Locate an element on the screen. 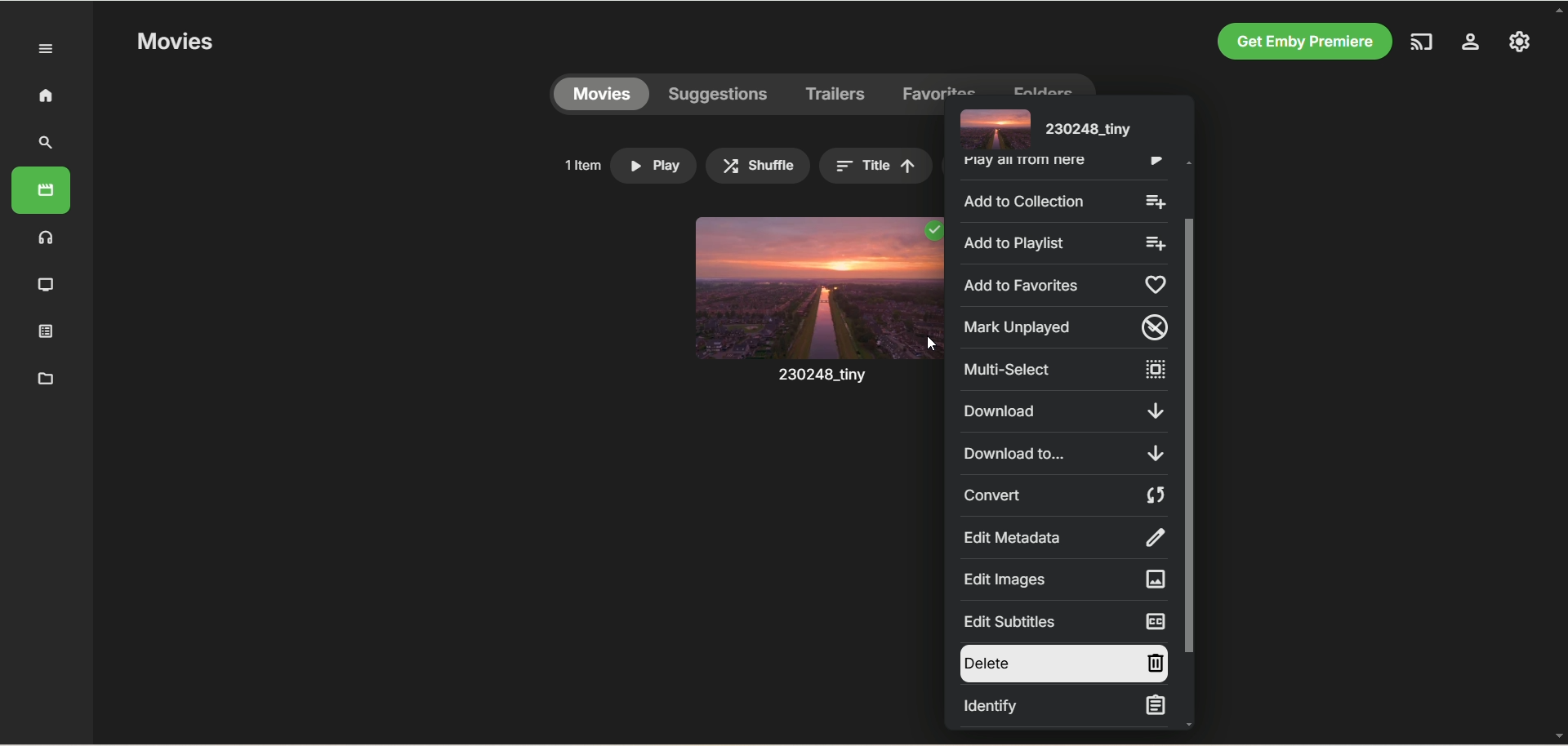 The width and height of the screenshot is (1568, 746). add to favorites is located at coordinates (1061, 285).